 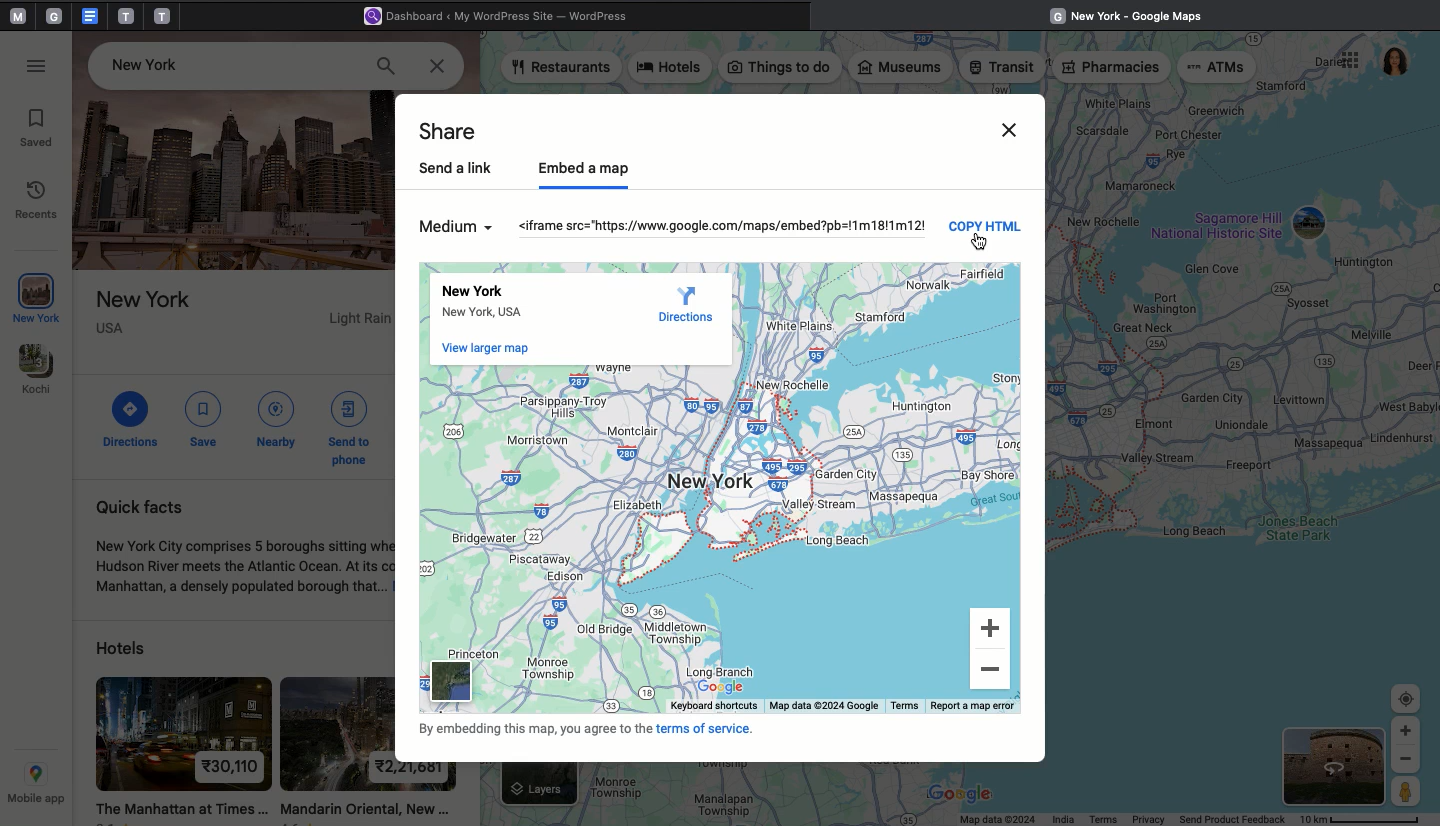 I want to click on Transit, so click(x=1003, y=68).